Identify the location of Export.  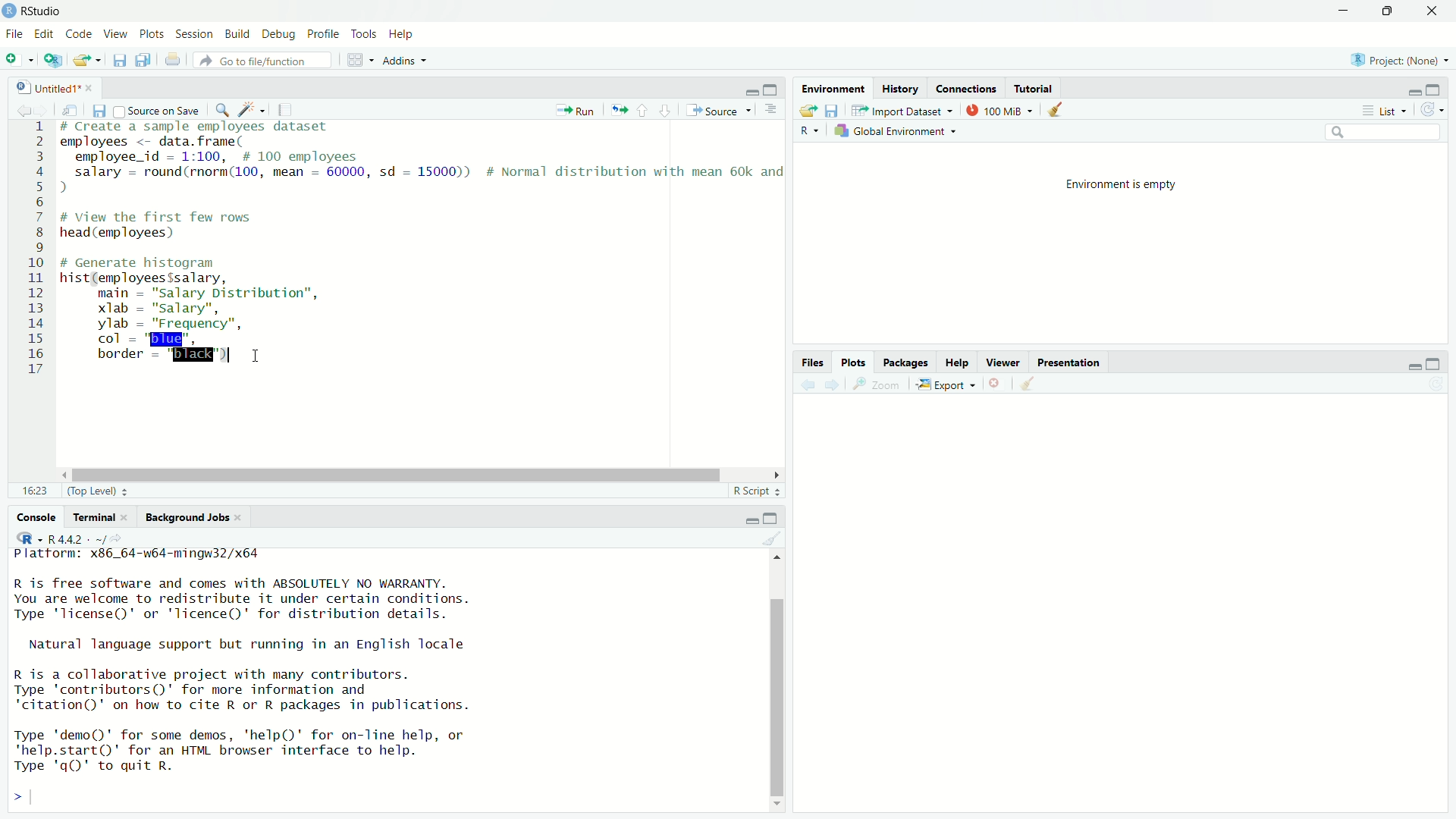
(945, 384).